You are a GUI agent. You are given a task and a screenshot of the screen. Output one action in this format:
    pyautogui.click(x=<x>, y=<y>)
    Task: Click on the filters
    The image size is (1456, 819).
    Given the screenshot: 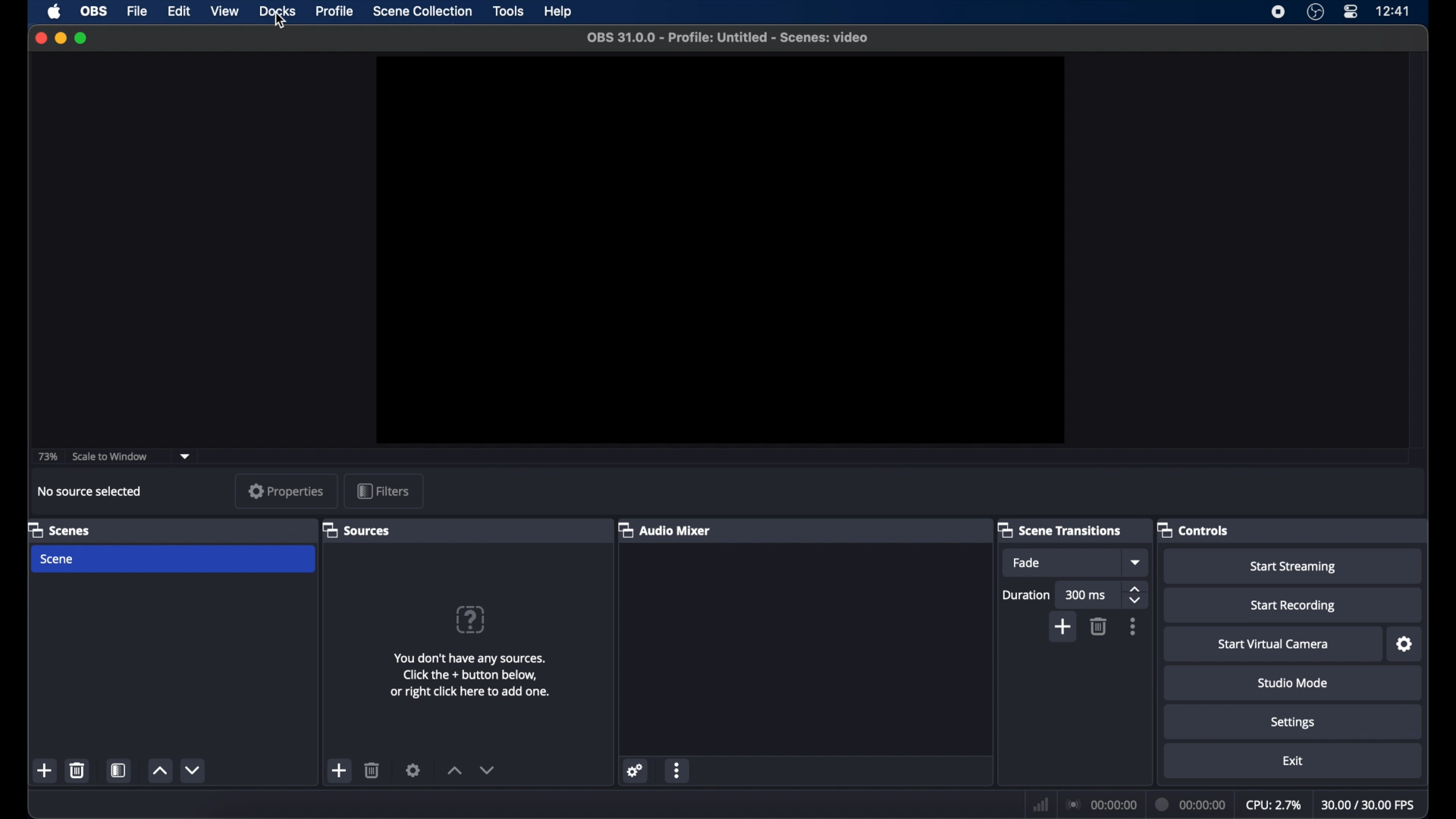 What is the action you would take?
    pyautogui.click(x=383, y=490)
    